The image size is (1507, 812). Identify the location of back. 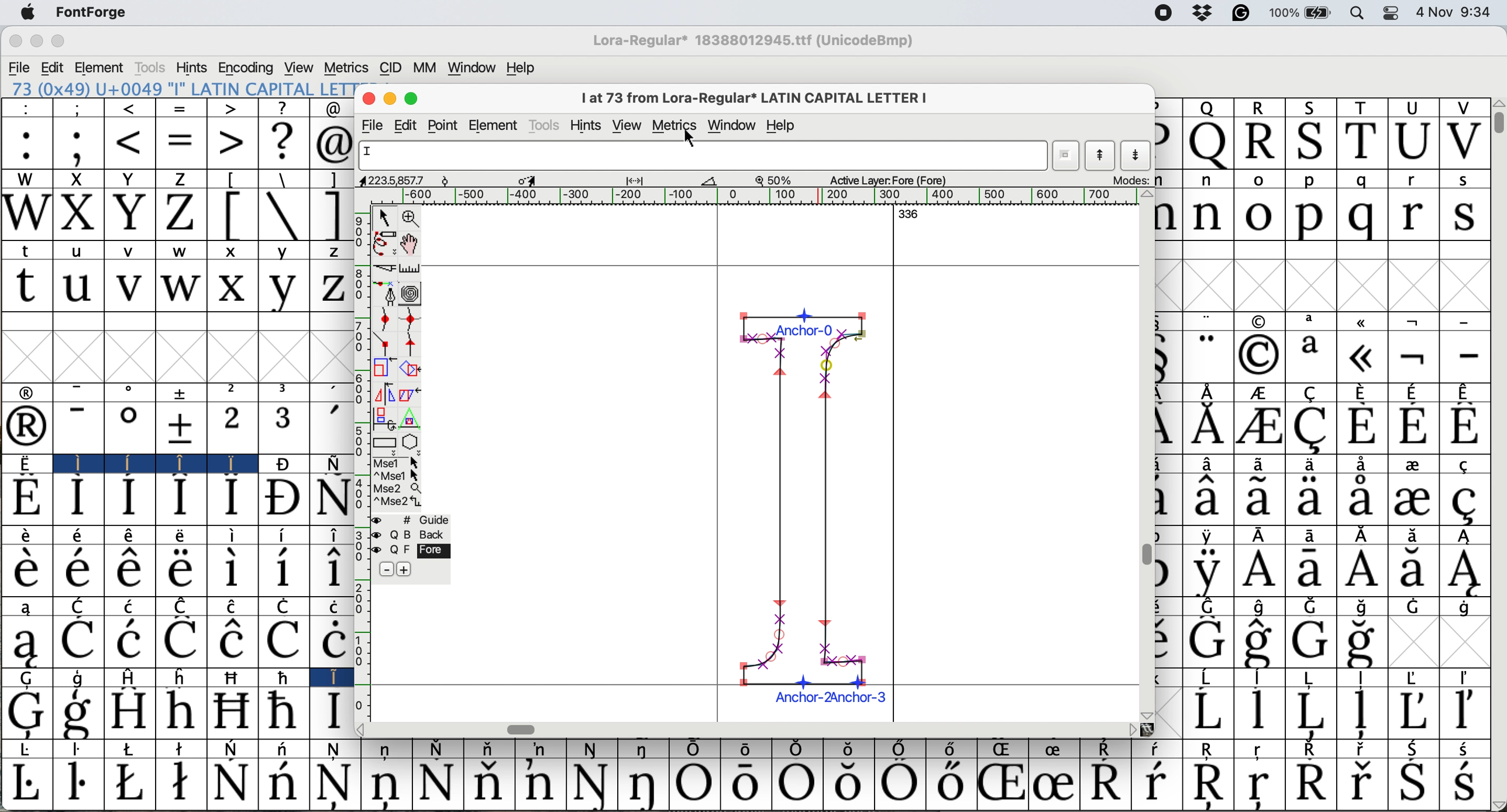
(420, 534).